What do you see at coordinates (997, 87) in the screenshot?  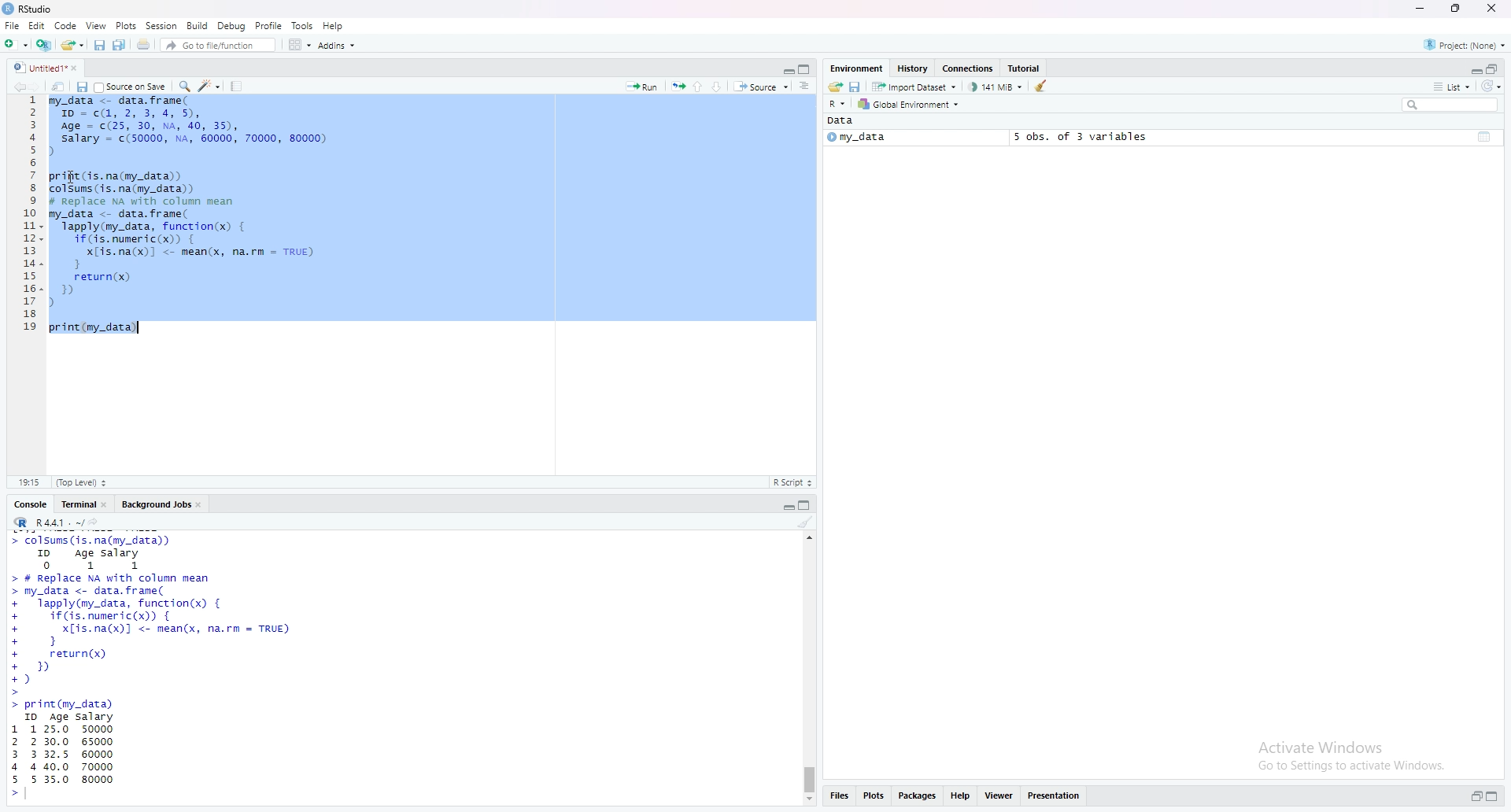 I see `141 MB` at bounding box center [997, 87].